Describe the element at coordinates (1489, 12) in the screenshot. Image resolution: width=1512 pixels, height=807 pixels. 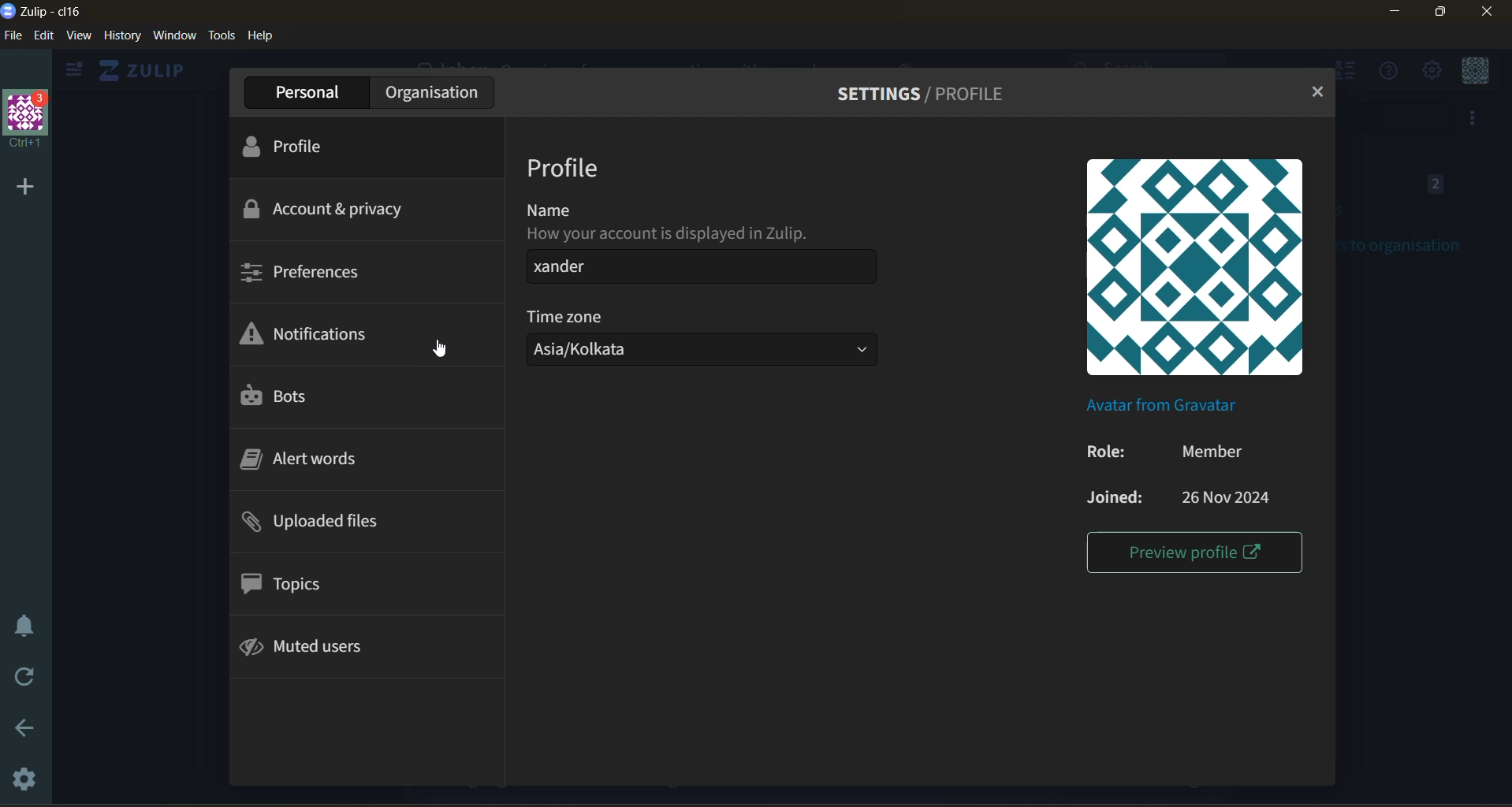
I see `close` at that location.